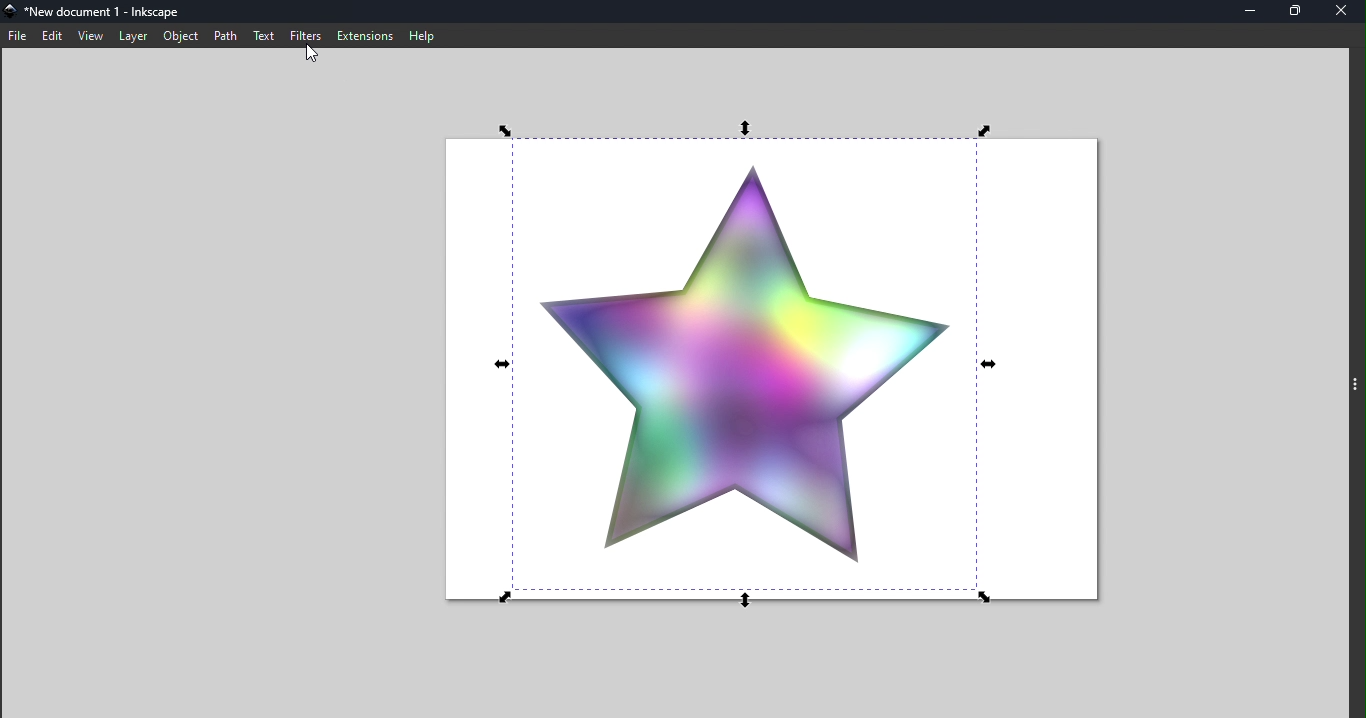 Image resolution: width=1366 pixels, height=718 pixels. I want to click on Maximize, so click(1293, 12).